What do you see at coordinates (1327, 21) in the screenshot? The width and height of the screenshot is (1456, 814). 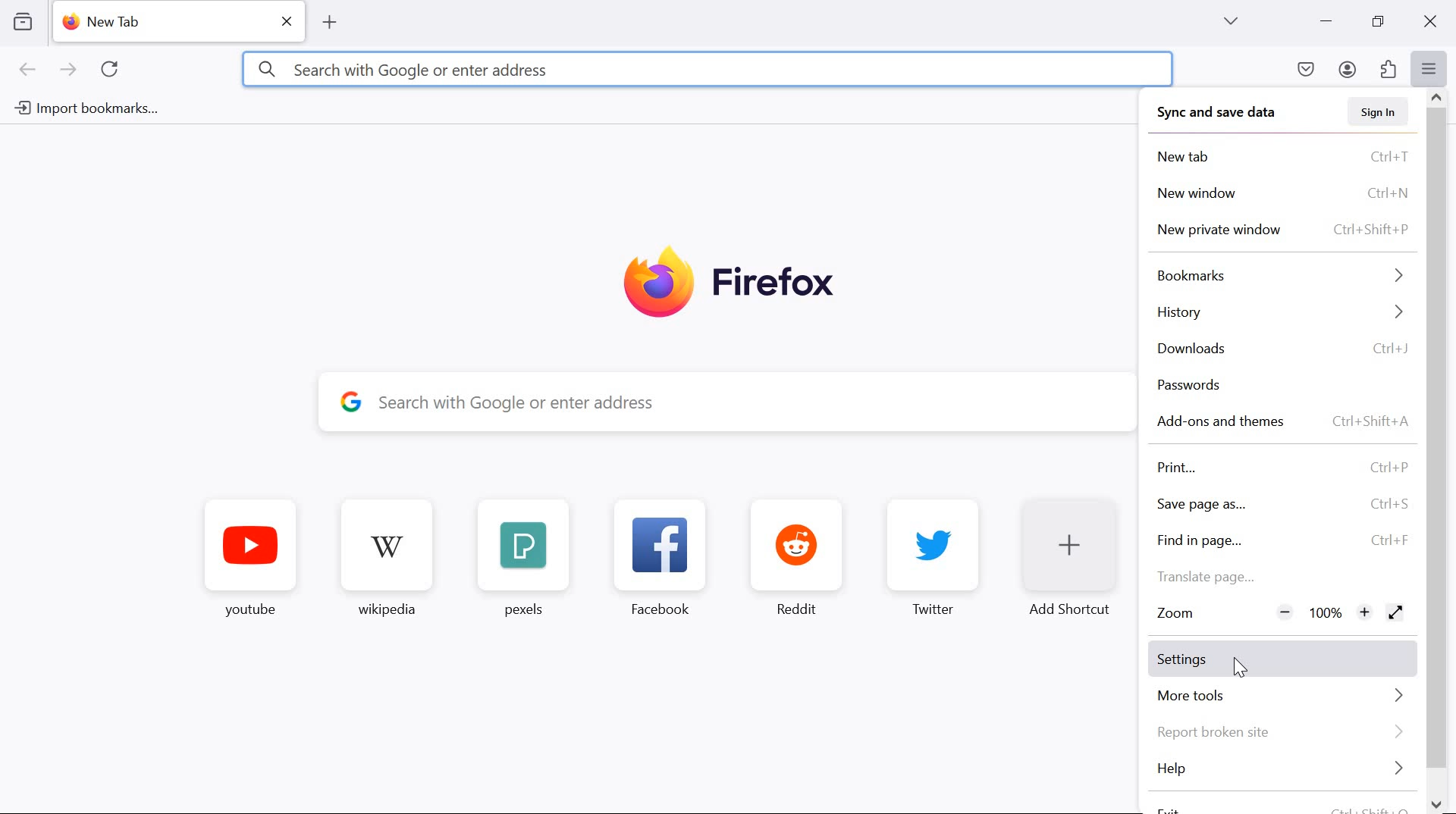 I see `minimize` at bounding box center [1327, 21].